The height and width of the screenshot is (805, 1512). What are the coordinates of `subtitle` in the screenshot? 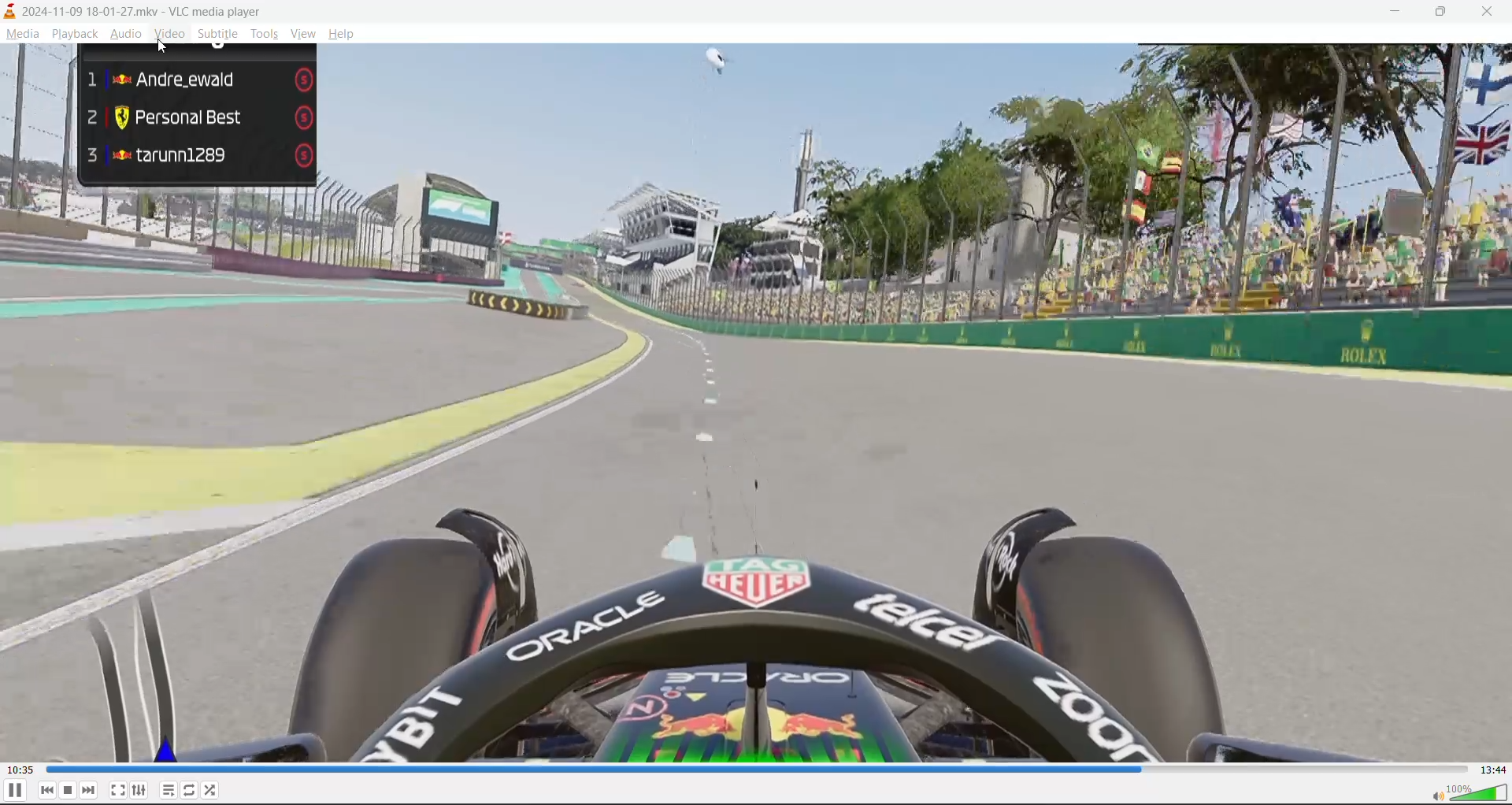 It's located at (218, 34).